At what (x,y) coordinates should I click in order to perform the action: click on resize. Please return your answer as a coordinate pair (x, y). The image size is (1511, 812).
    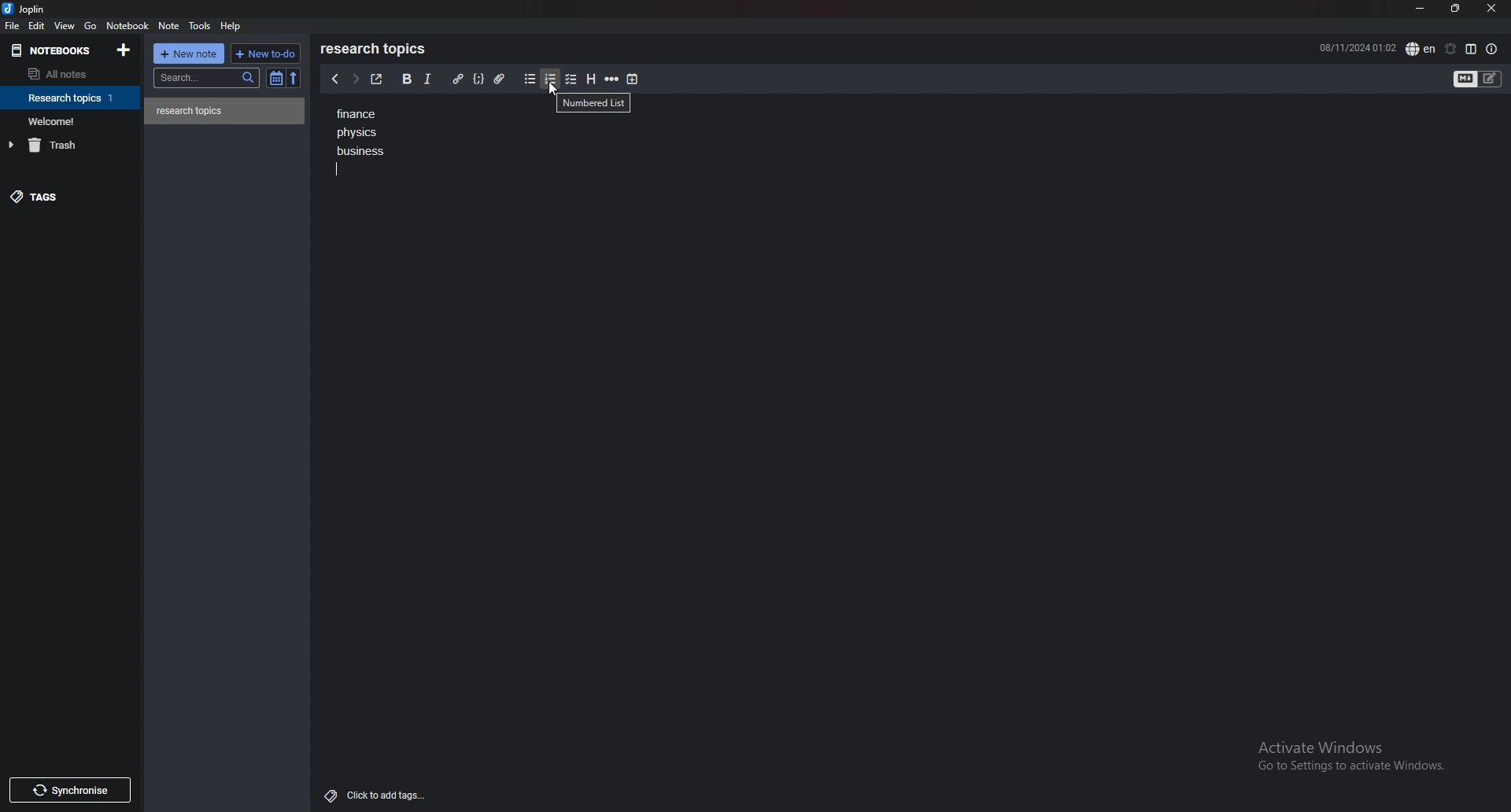
    Looking at the image, I should click on (1454, 8).